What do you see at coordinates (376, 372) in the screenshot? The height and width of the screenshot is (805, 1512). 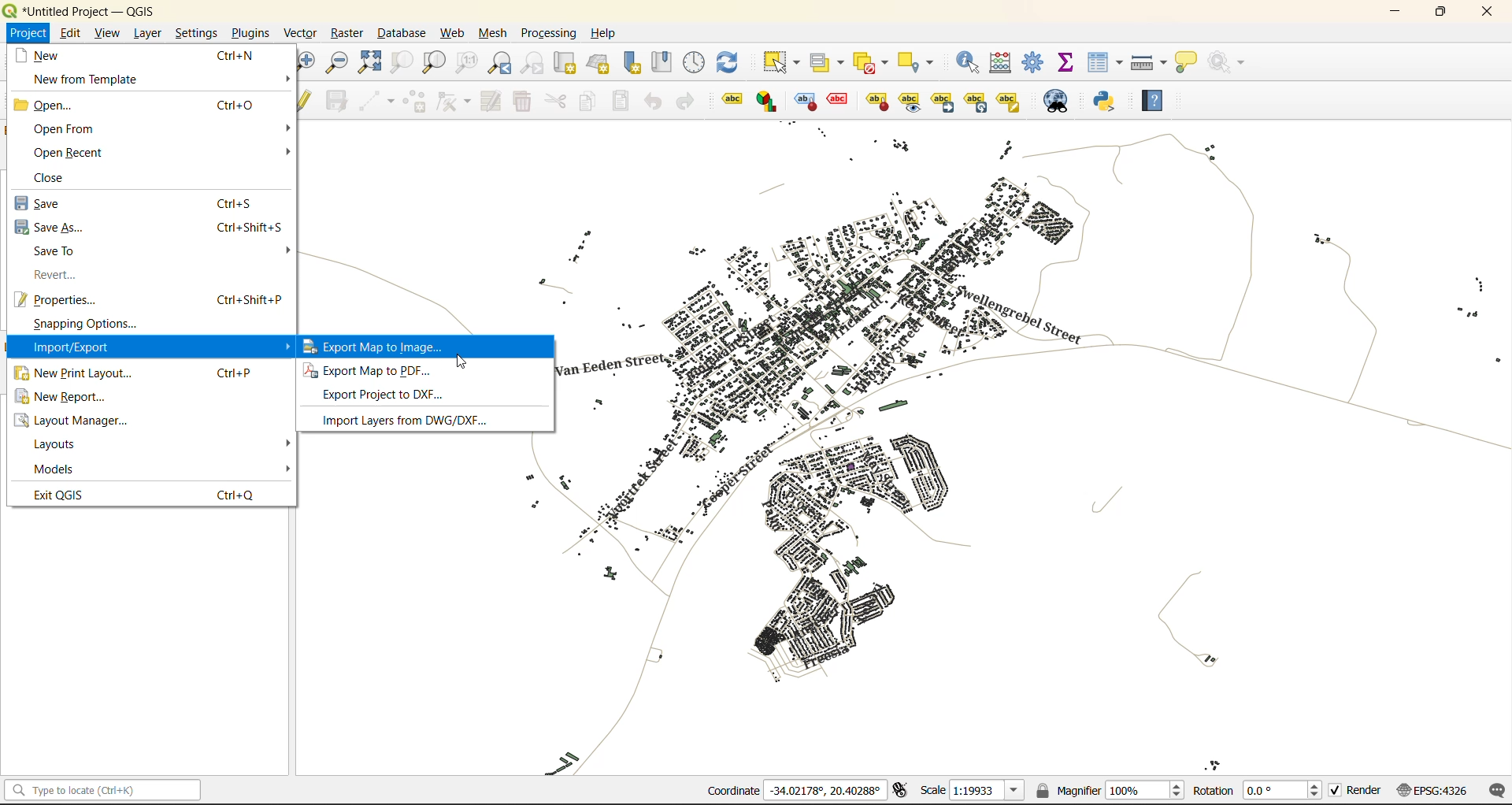 I see `export map to pdf` at bounding box center [376, 372].